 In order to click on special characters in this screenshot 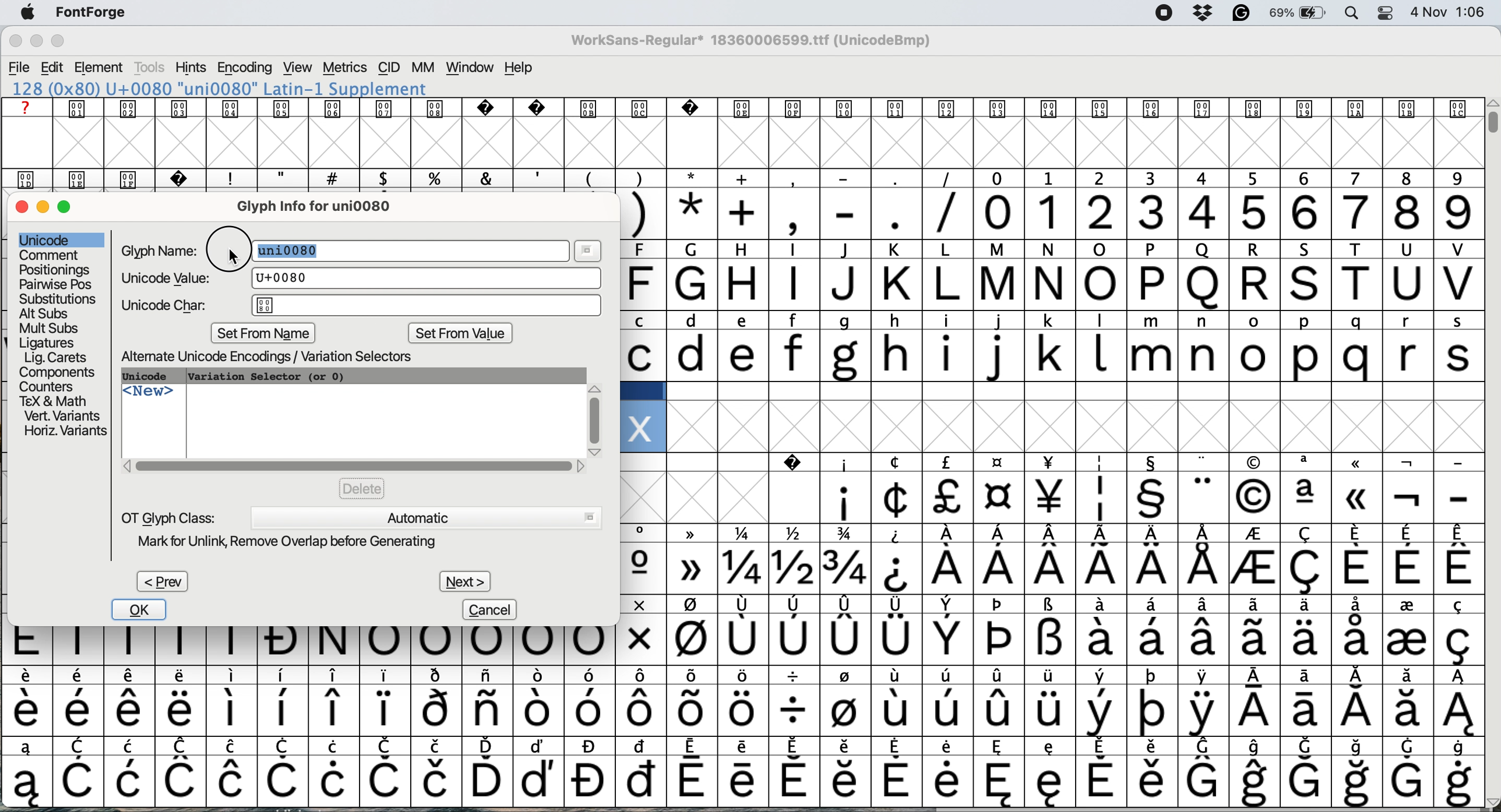, I will do `click(1056, 498)`.